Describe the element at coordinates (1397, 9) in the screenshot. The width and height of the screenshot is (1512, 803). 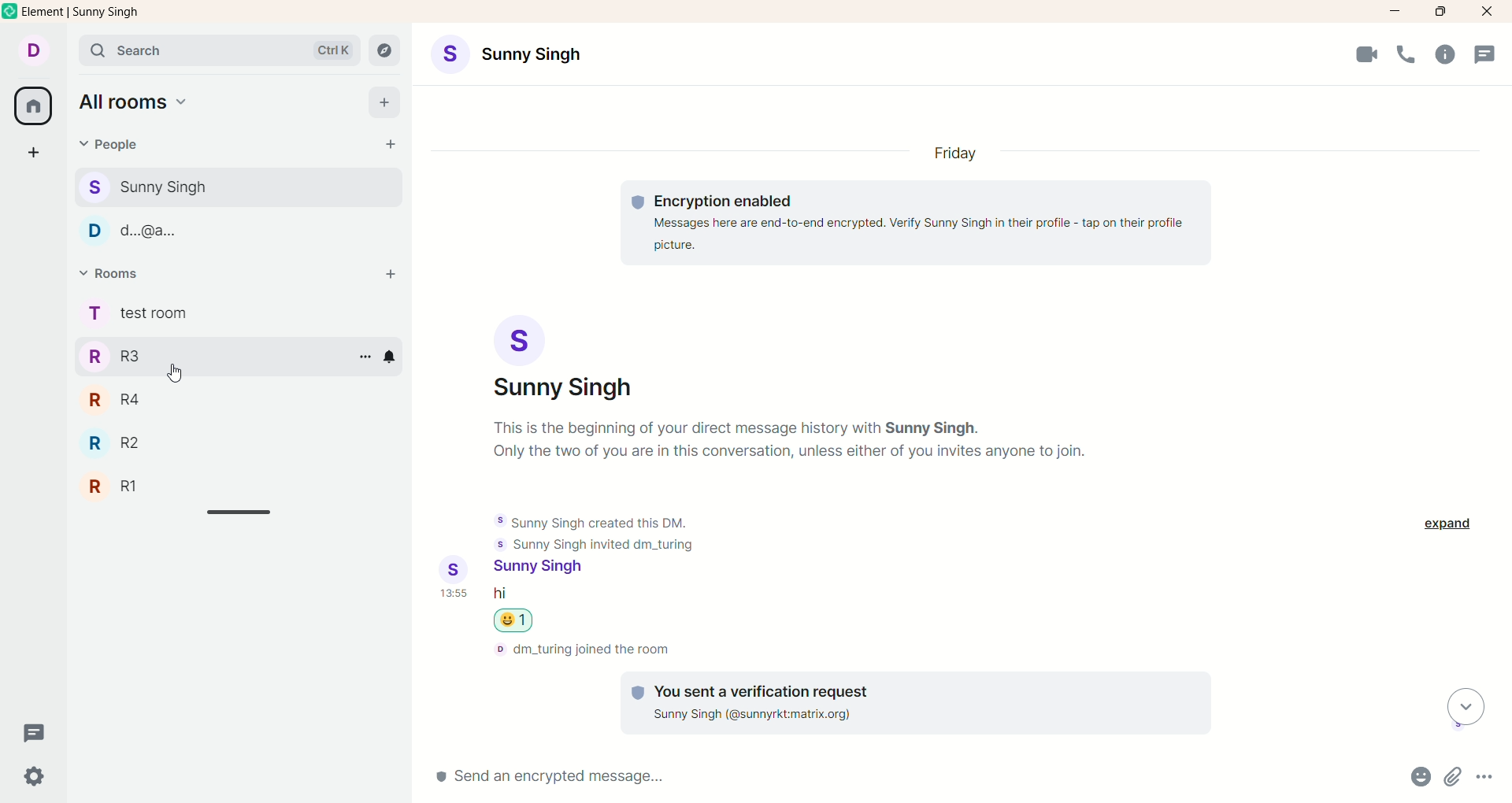
I see `minimize` at that location.